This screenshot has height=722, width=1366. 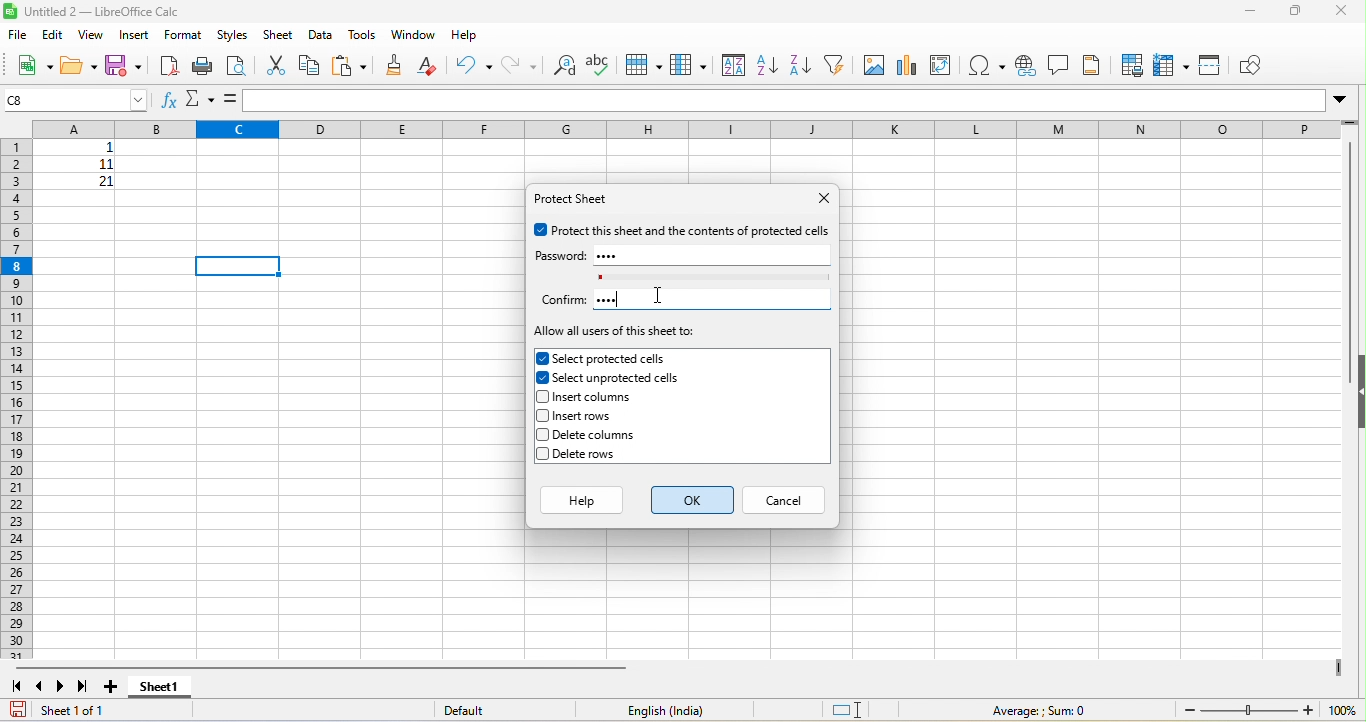 What do you see at coordinates (873, 65) in the screenshot?
I see `image` at bounding box center [873, 65].